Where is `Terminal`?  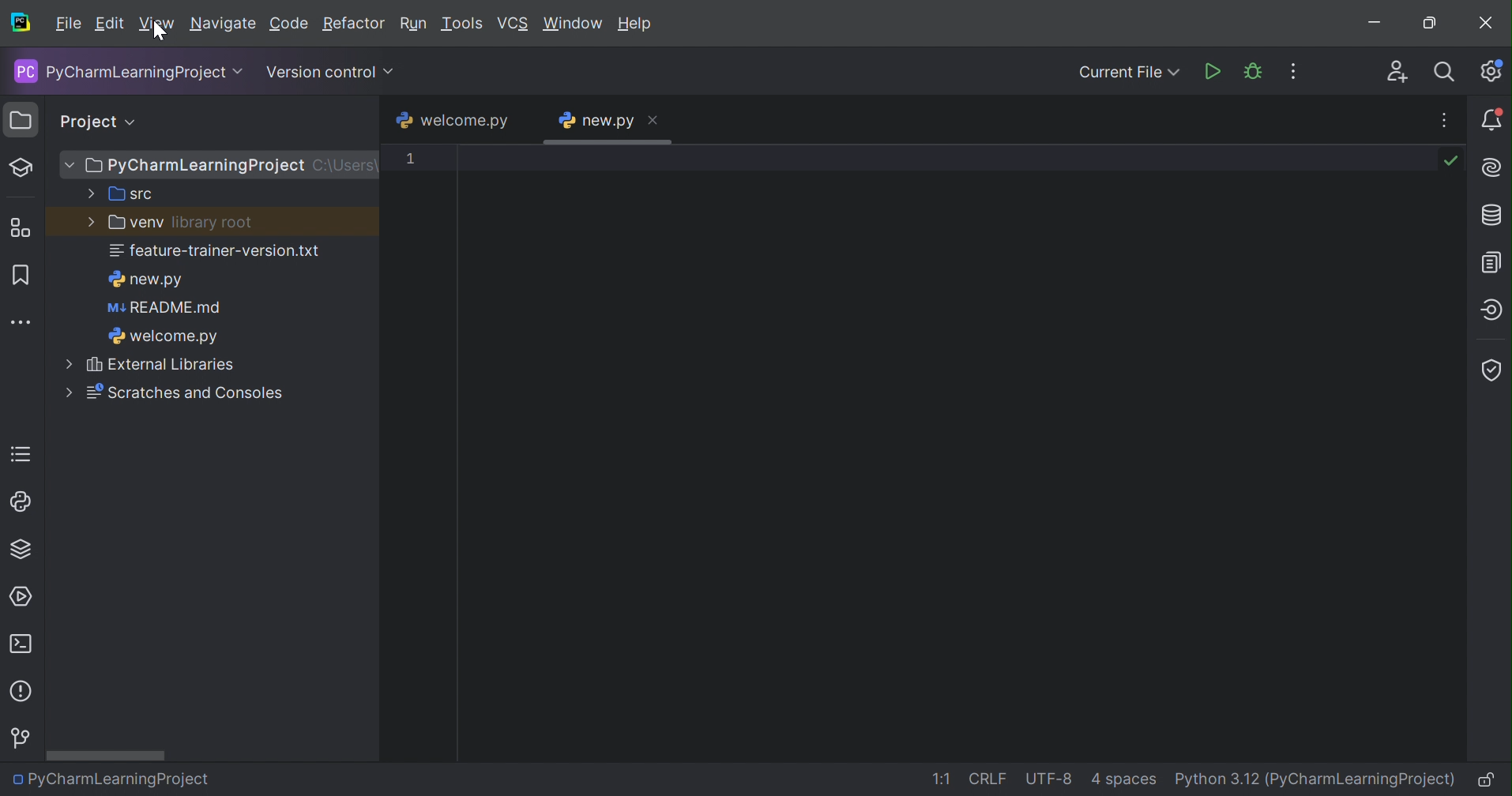
Terminal is located at coordinates (25, 645).